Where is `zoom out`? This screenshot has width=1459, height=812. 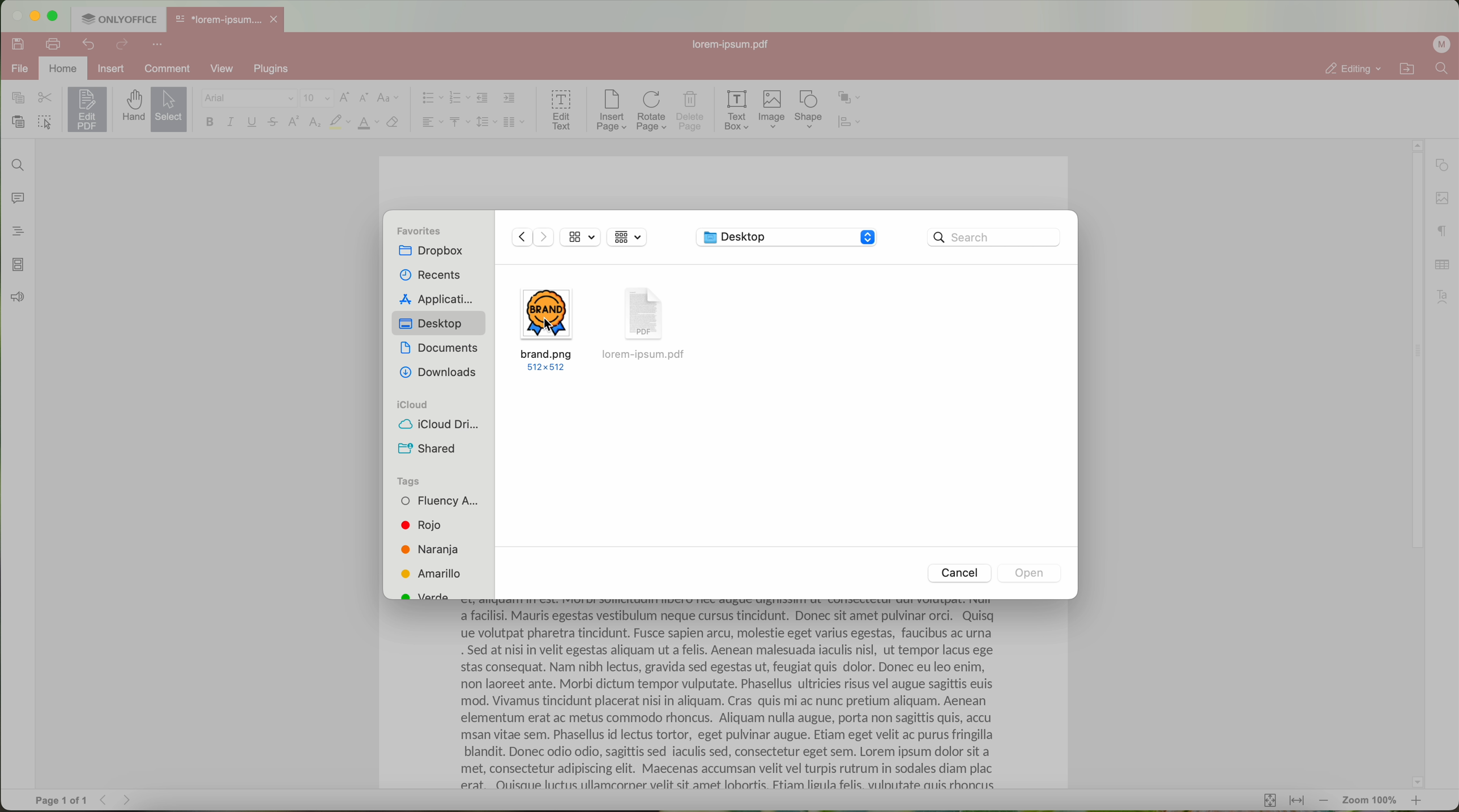
zoom out is located at coordinates (1324, 801).